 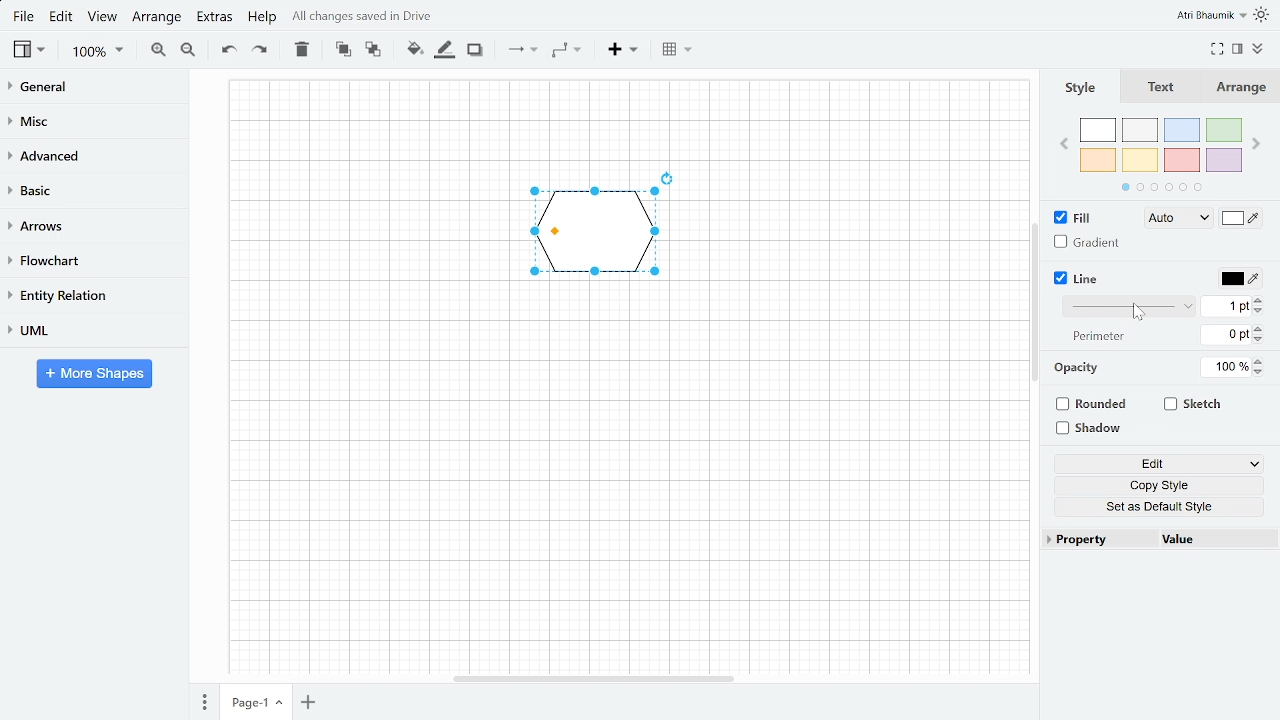 What do you see at coordinates (1091, 405) in the screenshot?
I see `Rounded` at bounding box center [1091, 405].